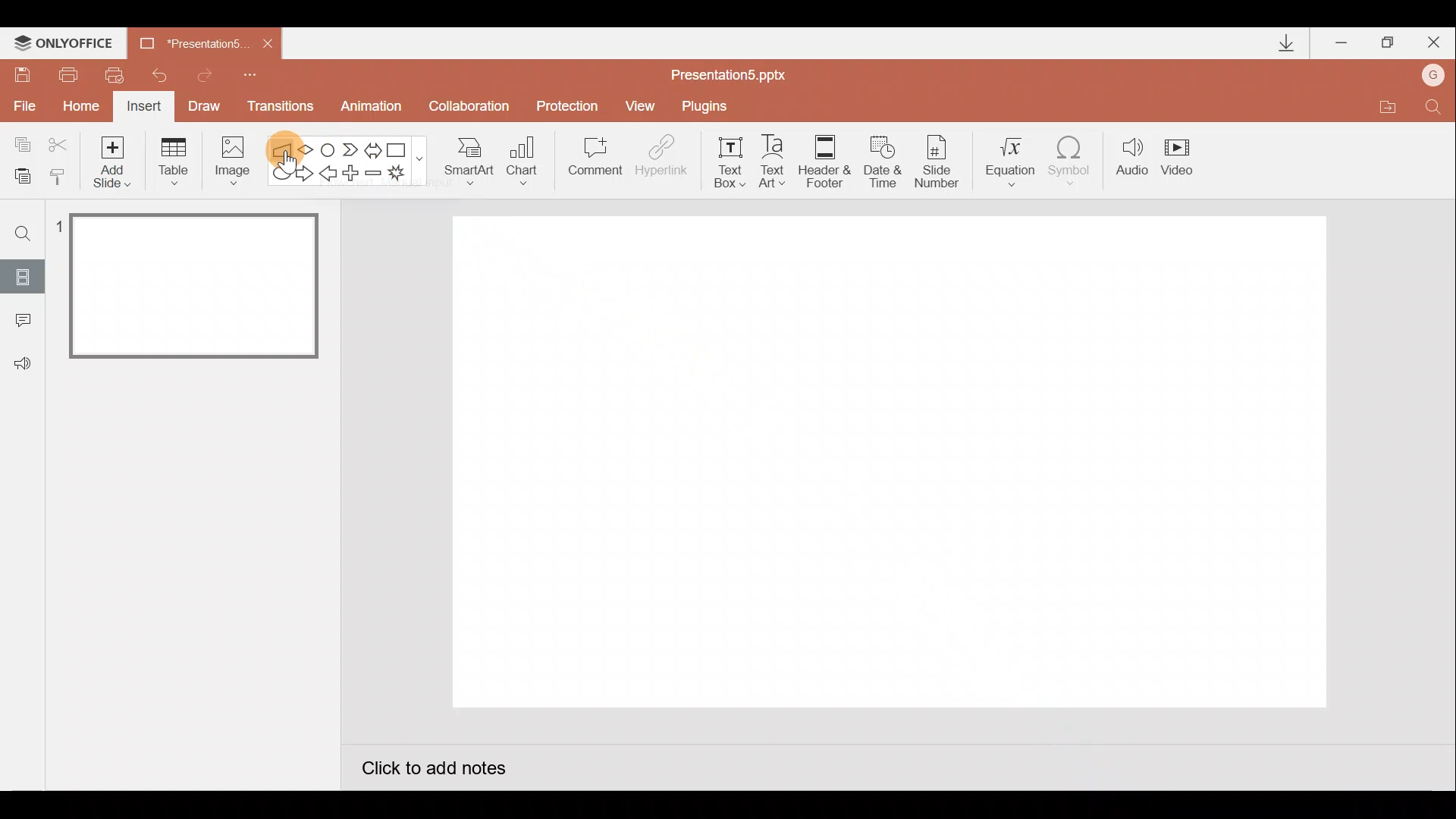  What do you see at coordinates (20, 142) in the screenshot?
I see `Copy` at bounding box center [20, 142].